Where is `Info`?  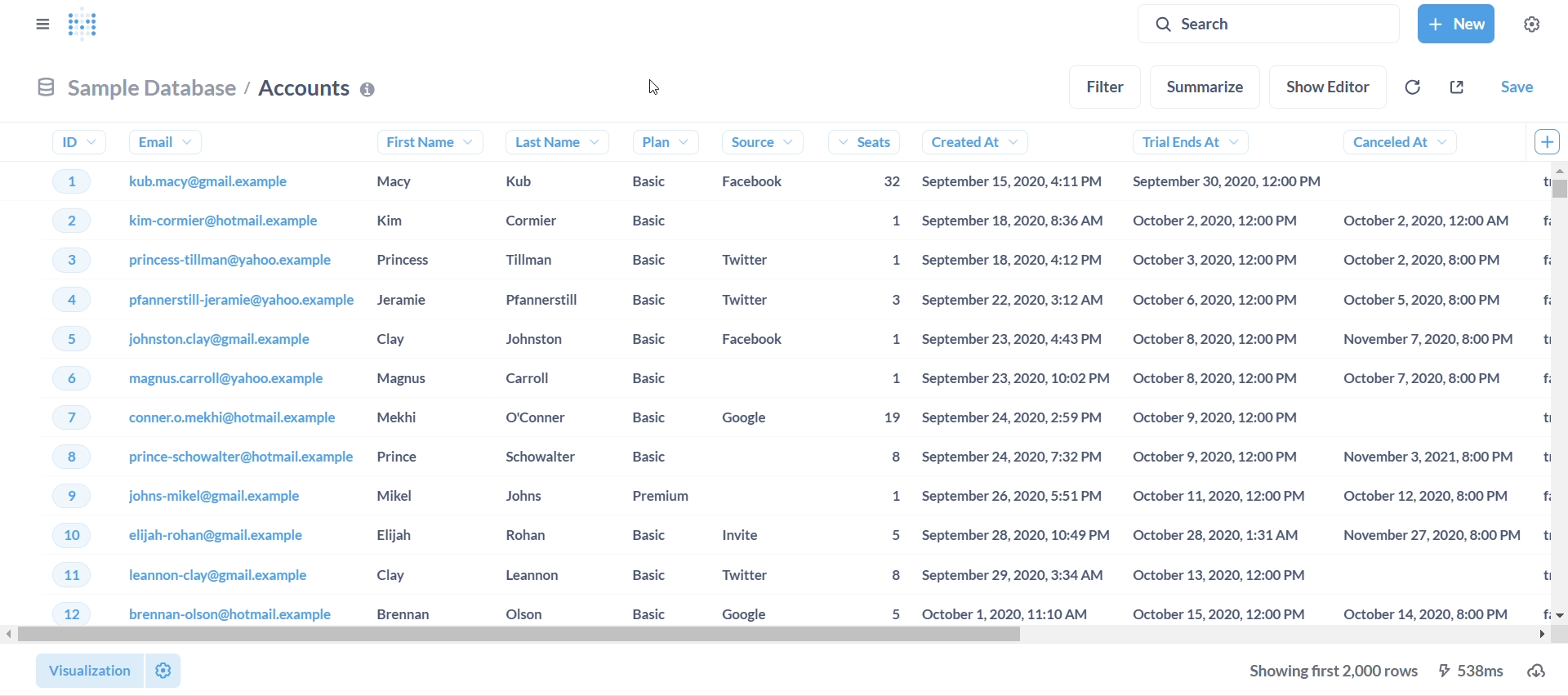 Info is located at coordinates (368, 89).